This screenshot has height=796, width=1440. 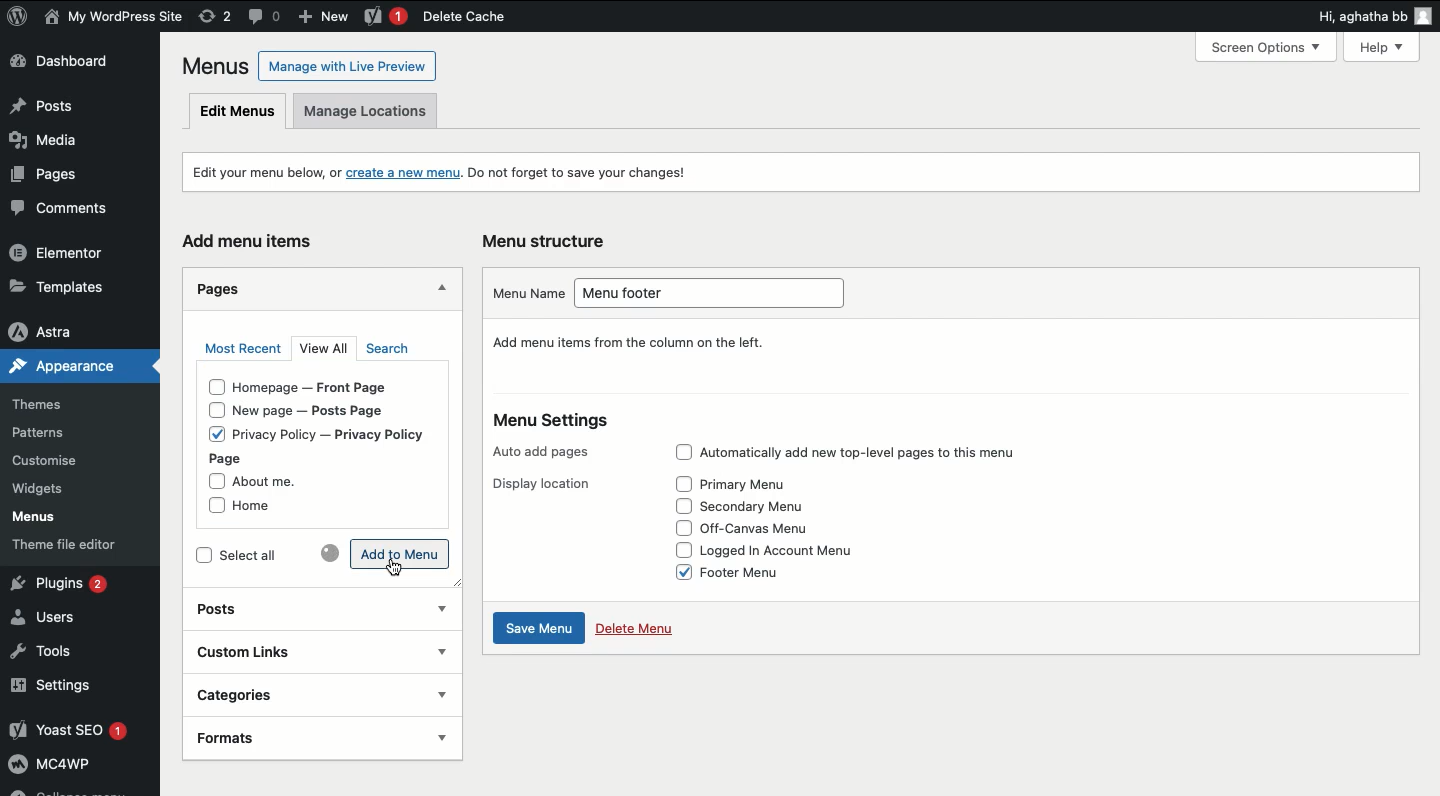 What do you see at coordinates (54, 145) in the screenshot?
I see `Media` at bounding box center [54, 145].